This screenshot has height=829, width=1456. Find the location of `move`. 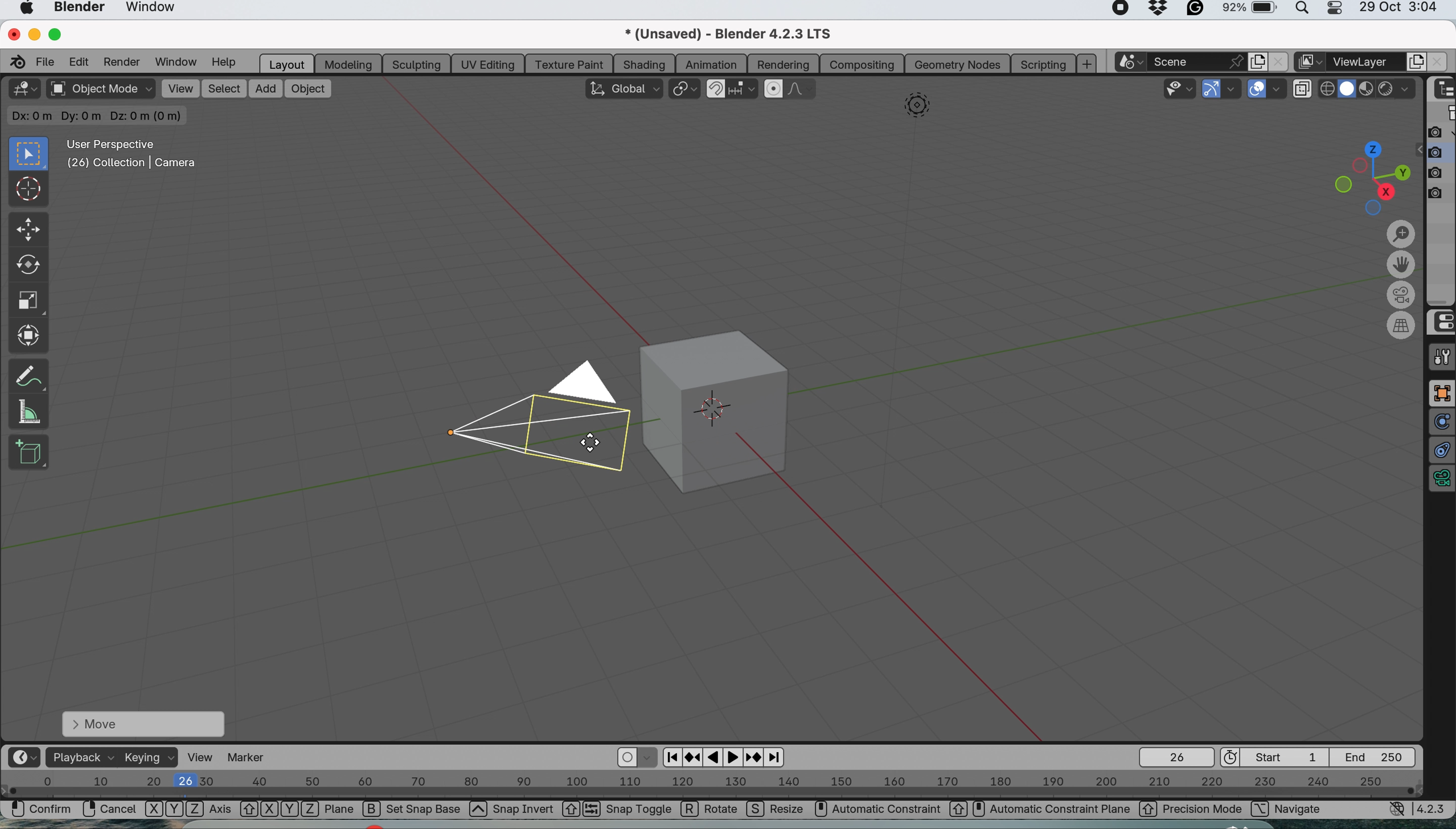

move is located at coordinates (142, 723).